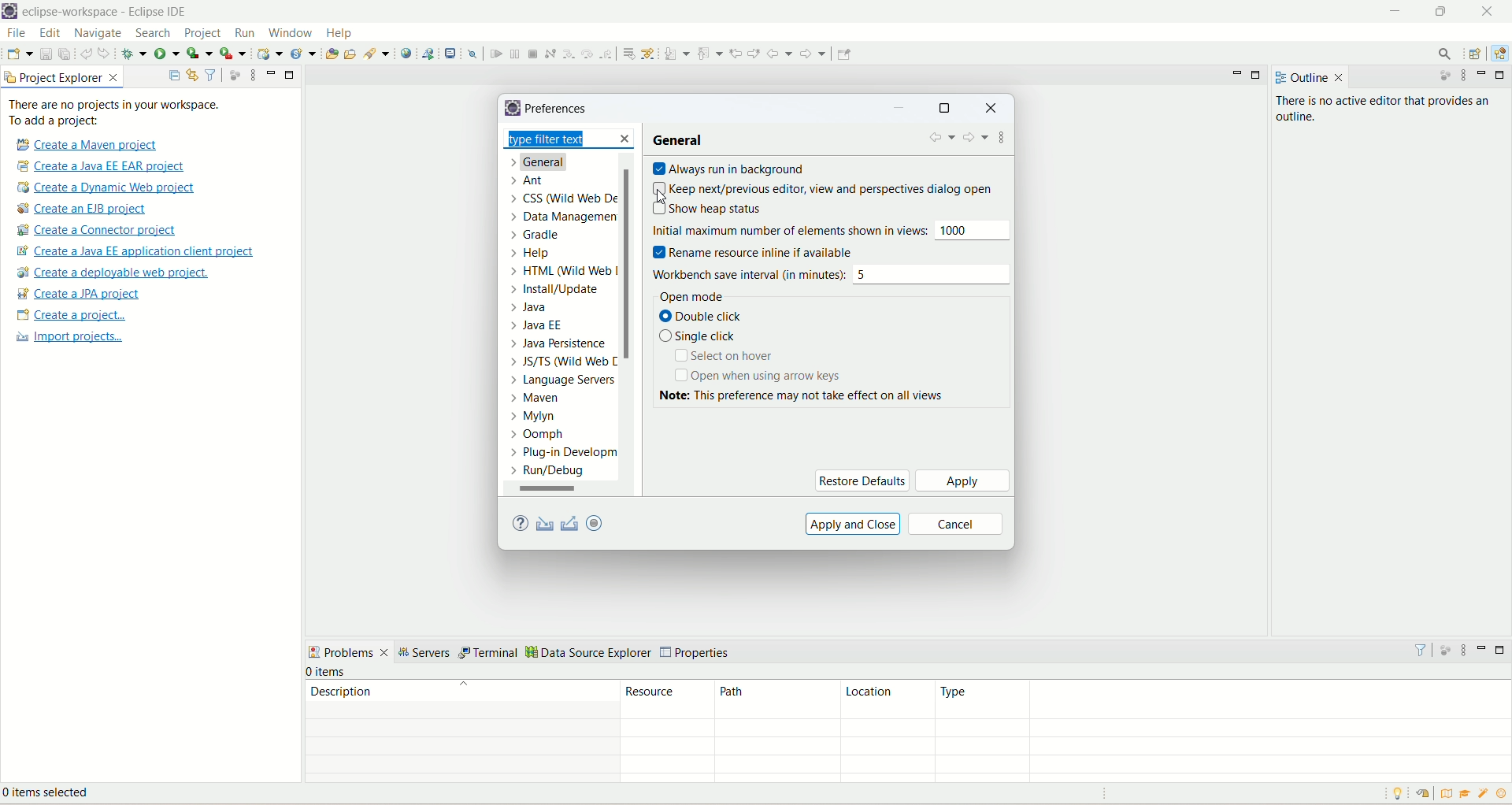 The height and width of the screenshot is (805, 1512). I want to click on rename resource inline if available, so click(764, 252).